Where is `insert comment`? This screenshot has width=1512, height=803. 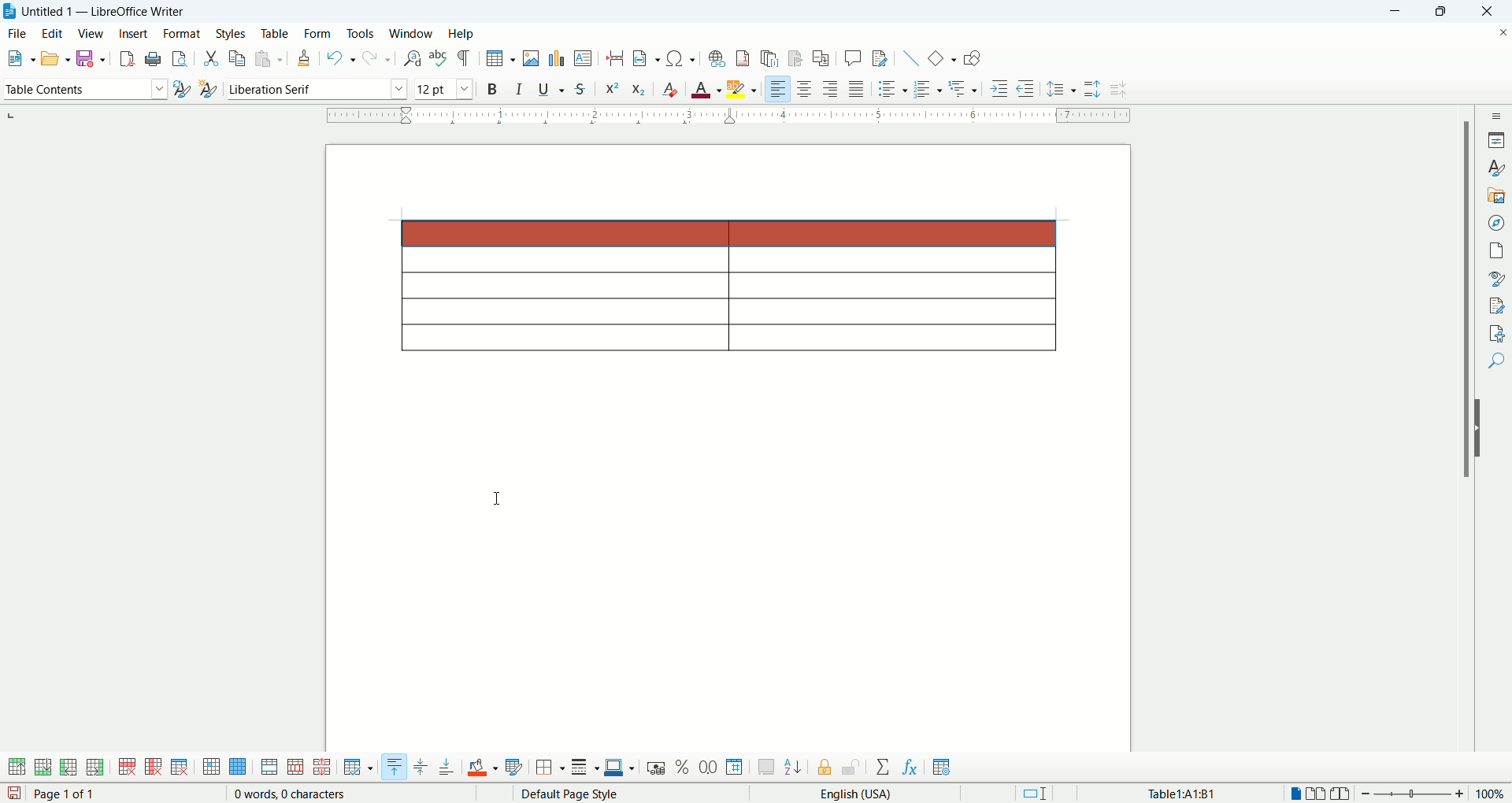 insert comment is located at coordinates (856, 57).